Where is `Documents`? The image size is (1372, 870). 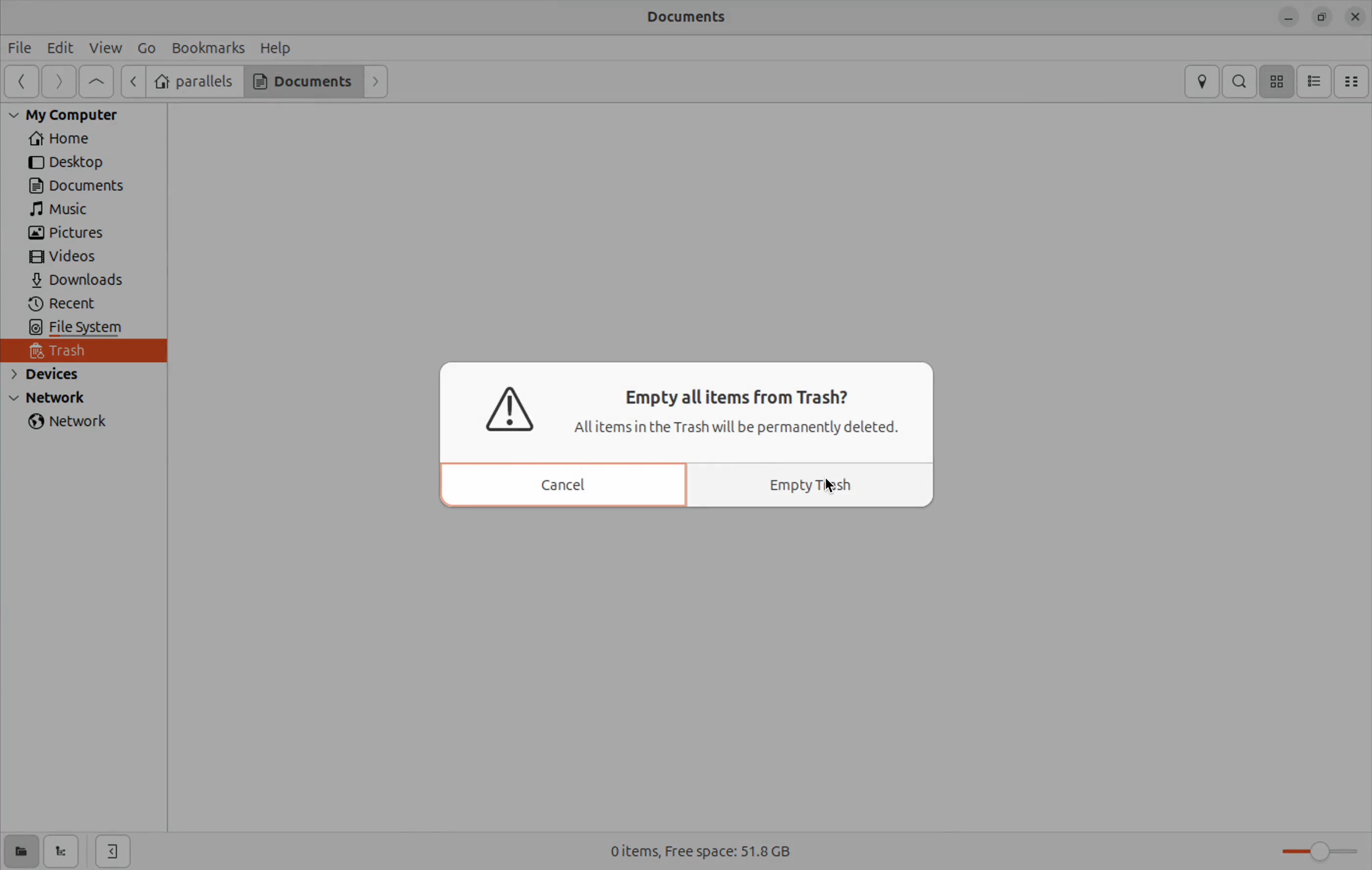
Documents is located at coordinates (690, 18).